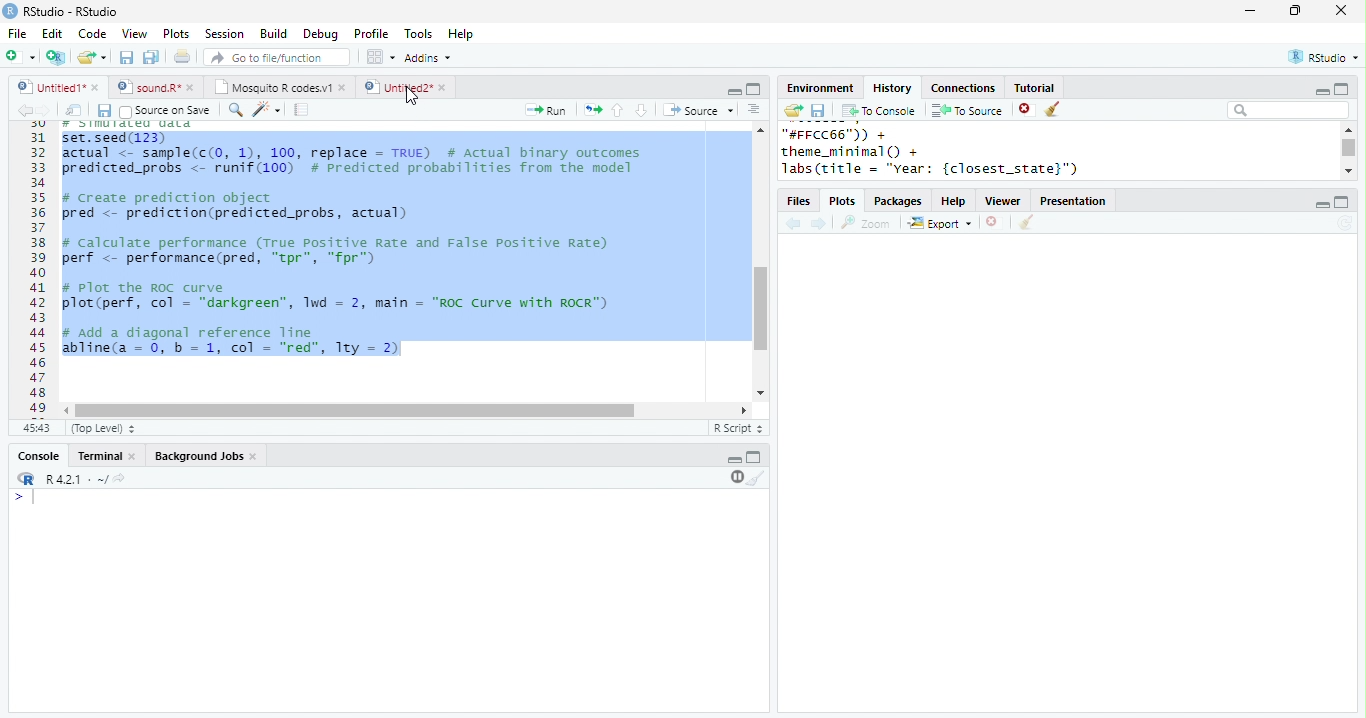 The height and width of the screenshot is (718, 1366). What do you see at coordinates (194, 87) in the screenshot?
I see `close` at bounding box center [194, 87].